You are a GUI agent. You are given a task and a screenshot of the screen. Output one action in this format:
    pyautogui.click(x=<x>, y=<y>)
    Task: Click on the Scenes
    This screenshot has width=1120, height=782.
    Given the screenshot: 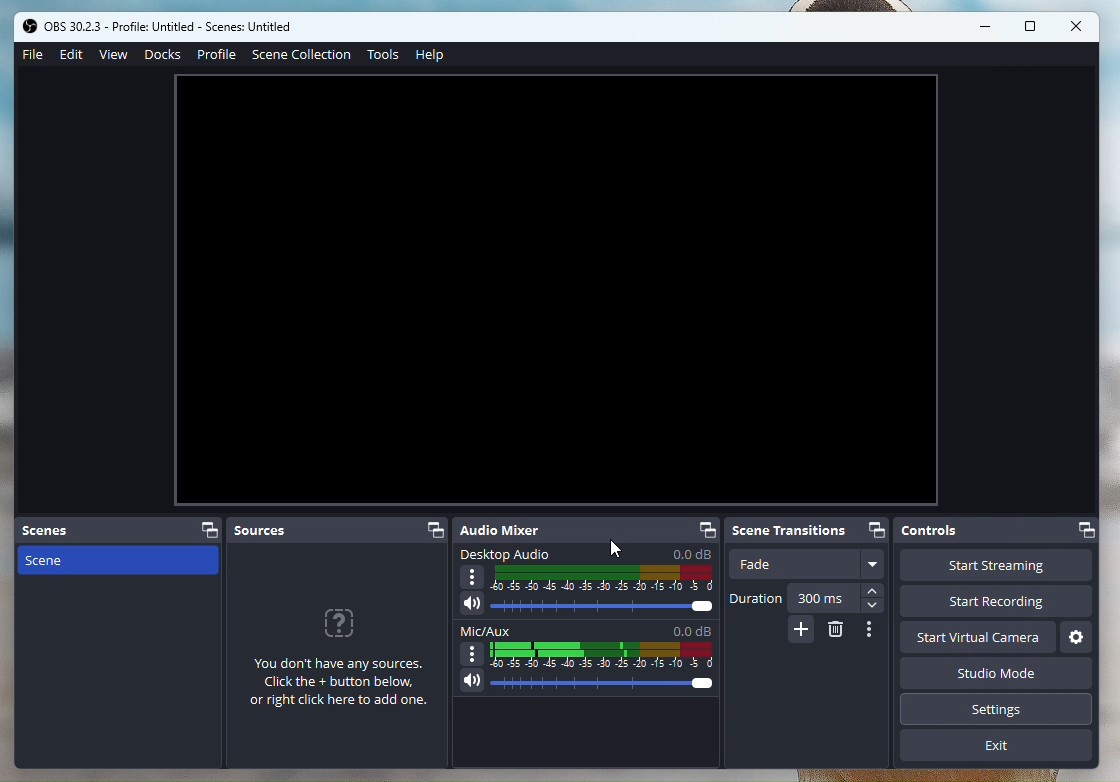 What is the action you would take?
    pyautogui.click(x=122, y=532)
    